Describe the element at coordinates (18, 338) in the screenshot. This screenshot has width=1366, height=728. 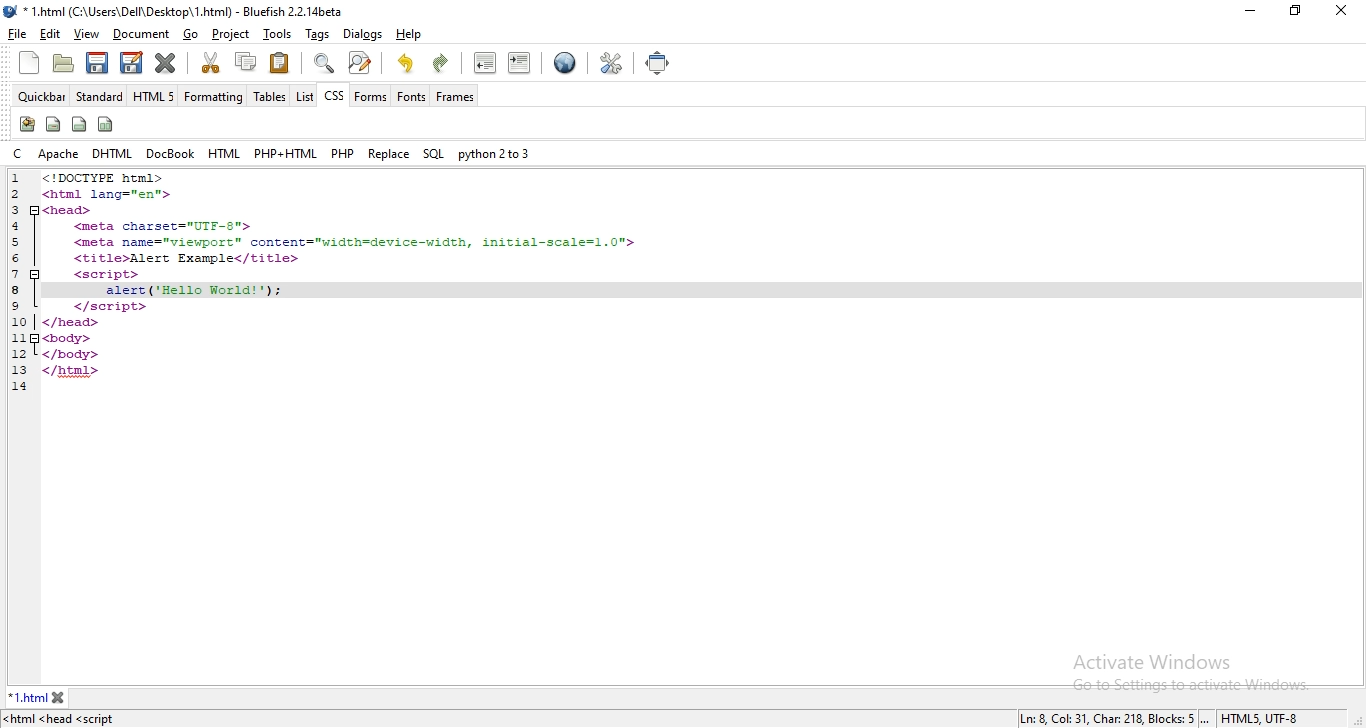
I see `11` at that location.